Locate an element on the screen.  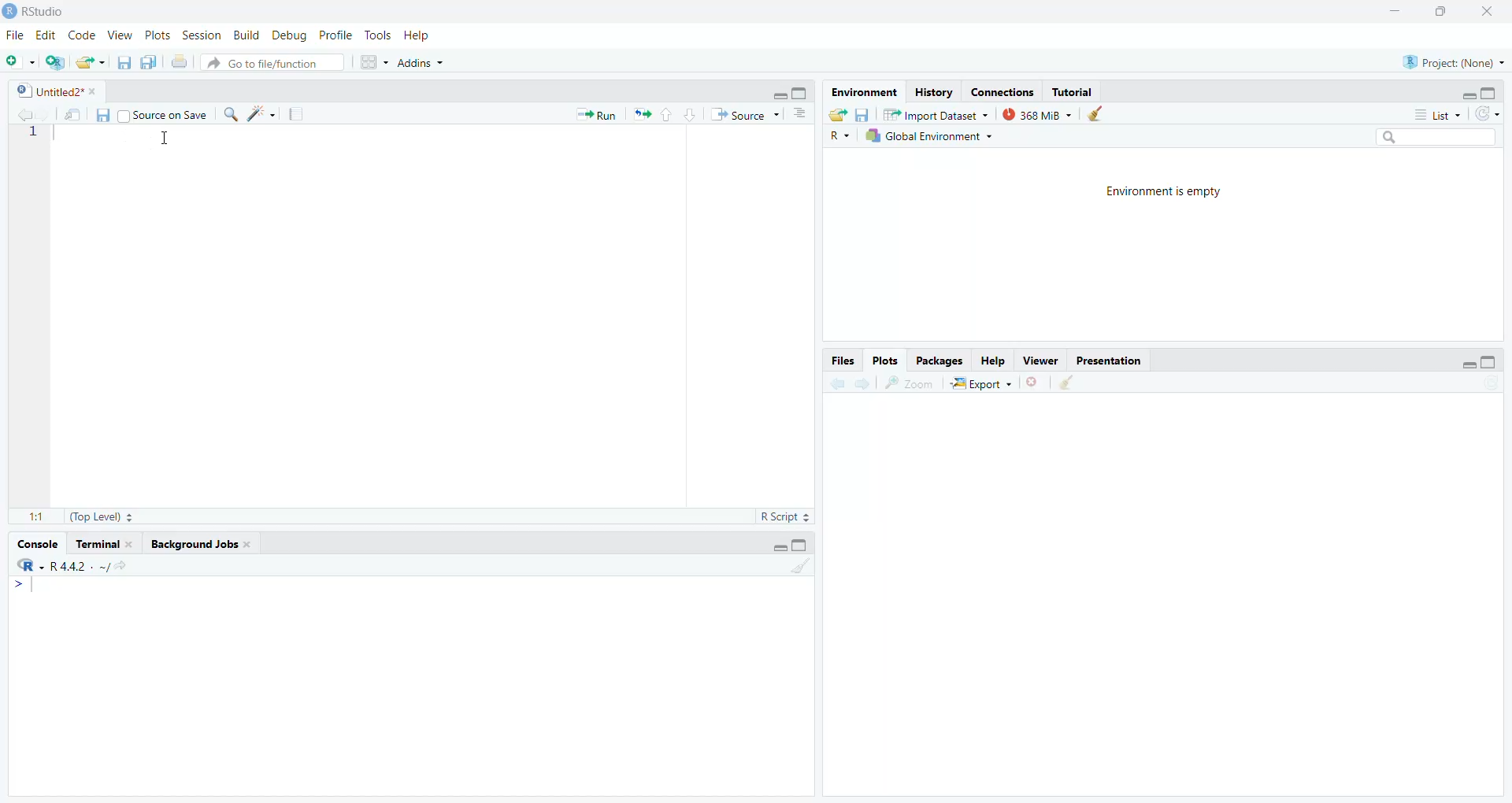
; Plots is located at coordinates (886, 361).